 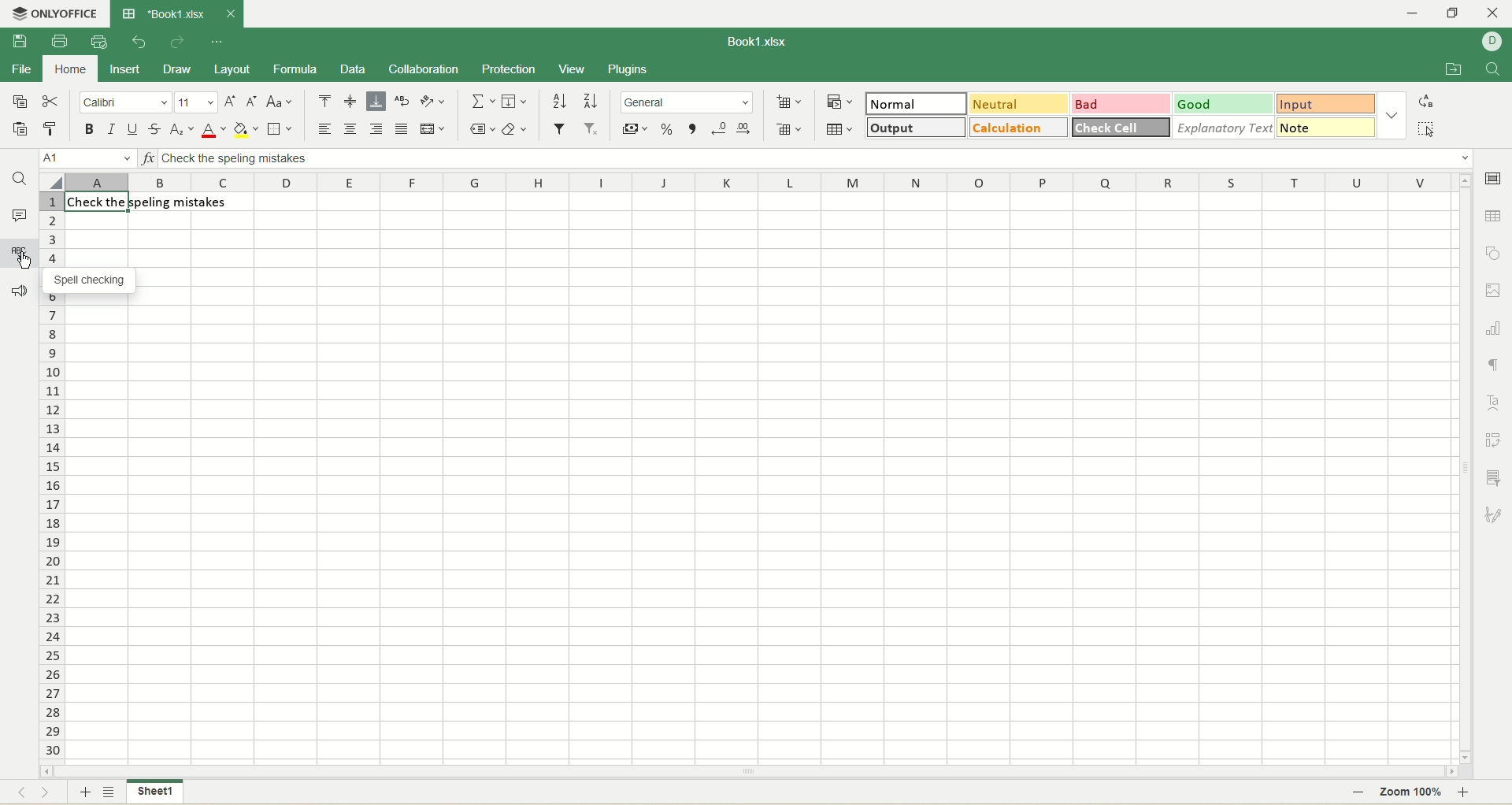 What do you see at coordinates (1463, 792) in the screenshot?
I see `zoom in` at bounding box center [1463, 792].